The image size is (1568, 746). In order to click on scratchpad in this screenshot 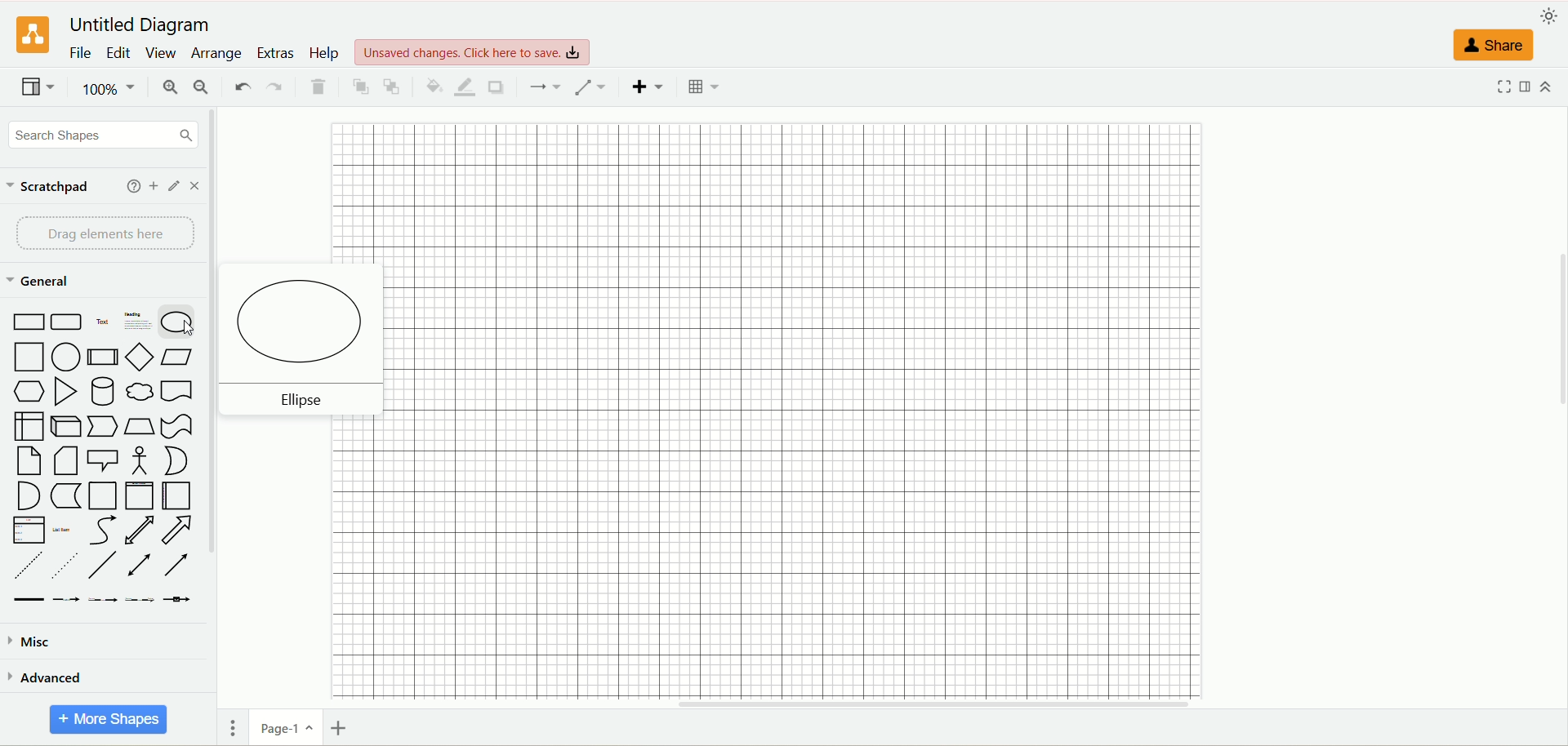, I will do `click(47, 189)`.